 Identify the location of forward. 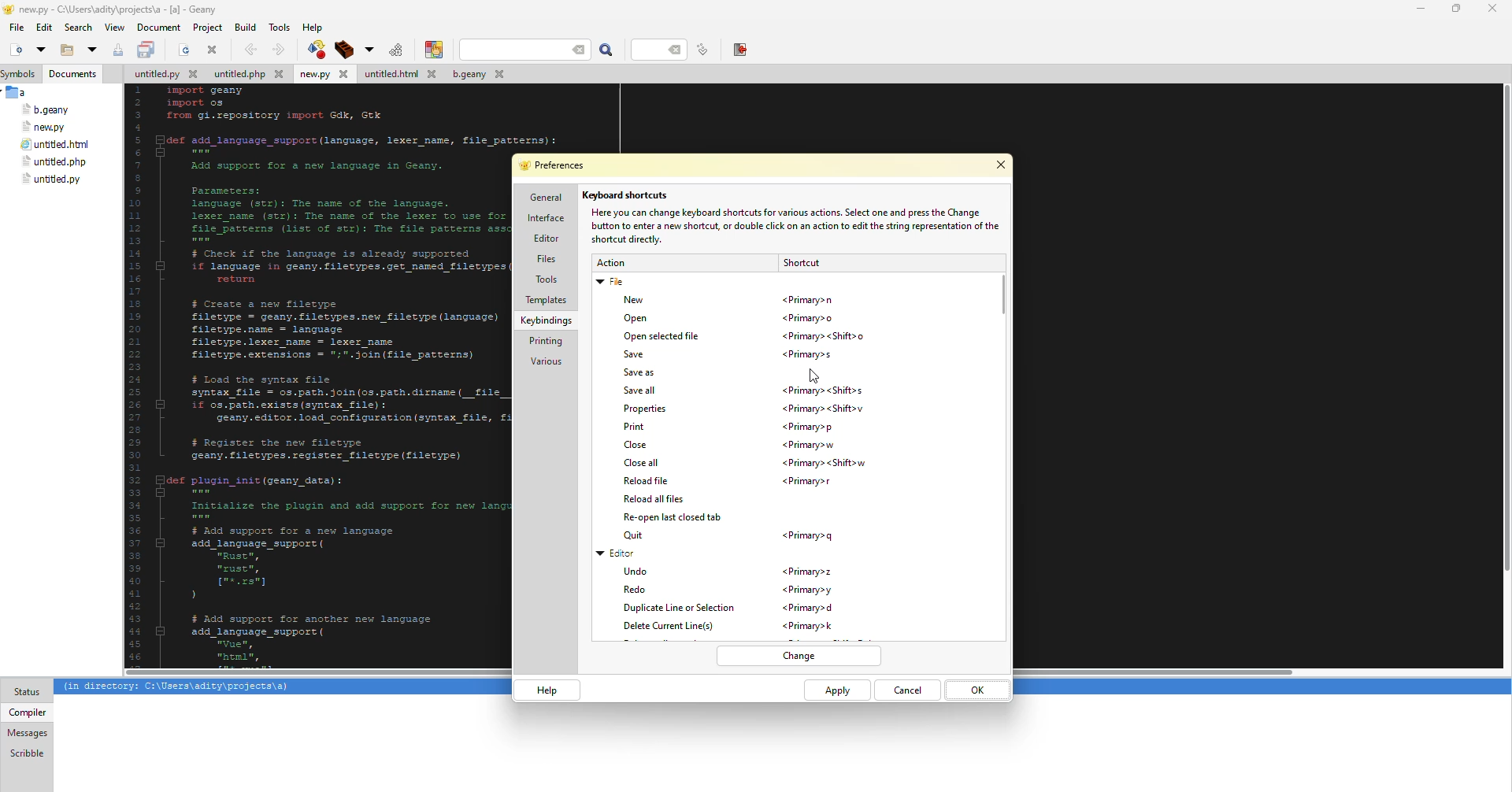
(276, 50).